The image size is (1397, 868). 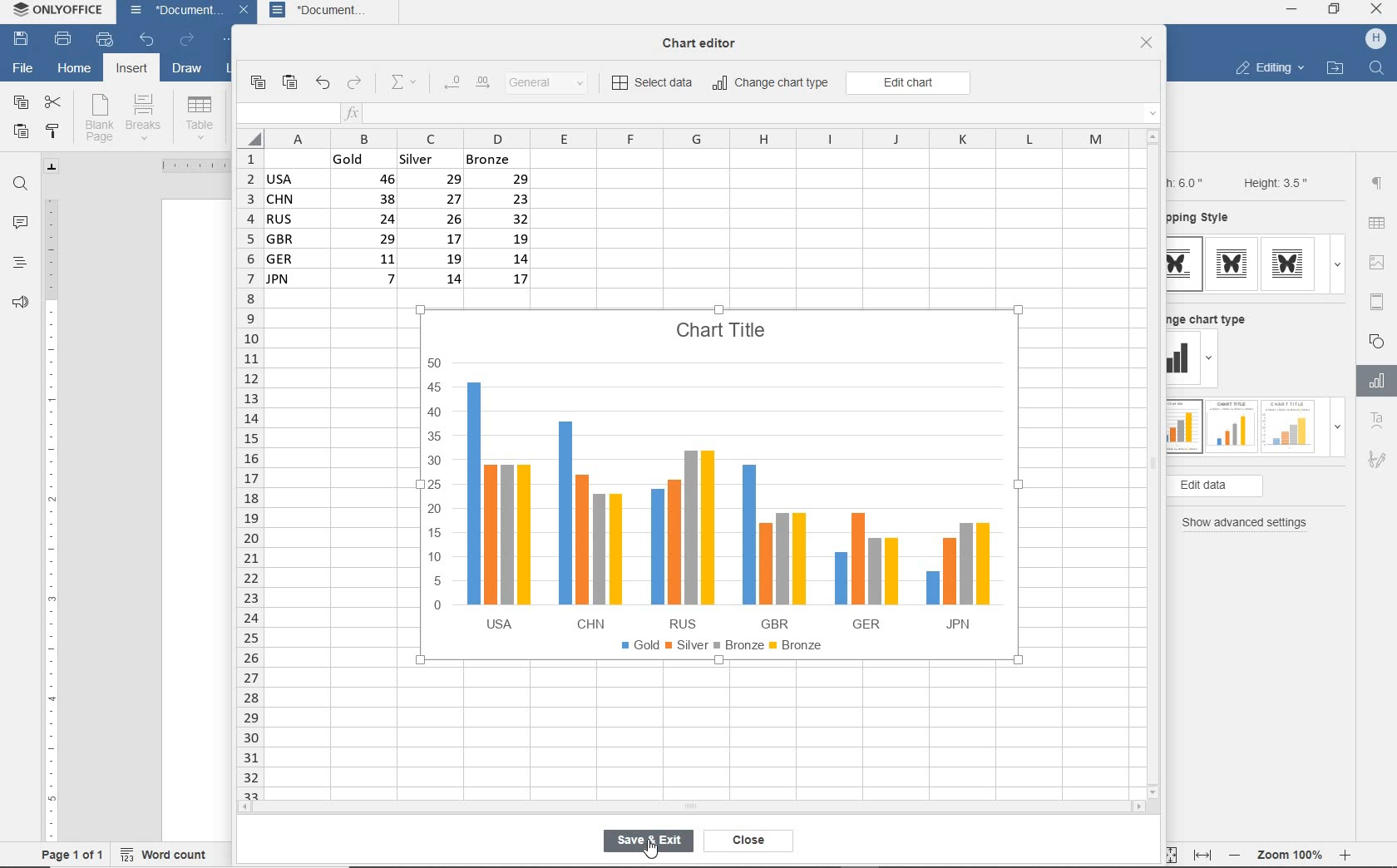 What do you see at coordinates (466, 83) in the screenshot?
I see `change decimal place` at bounding box center [466, 83].